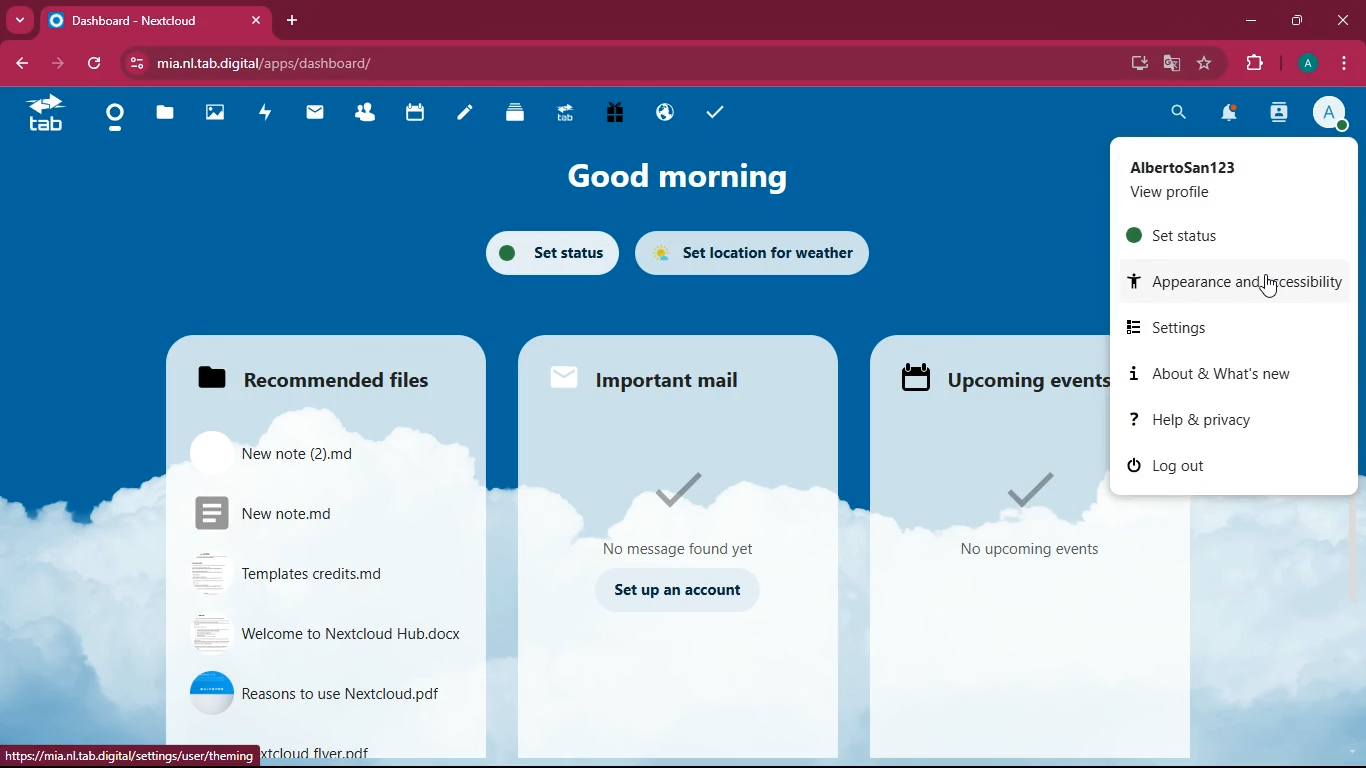 This screenshot has height=768, width=1366. I want to click on add tab, so click(294, 21).